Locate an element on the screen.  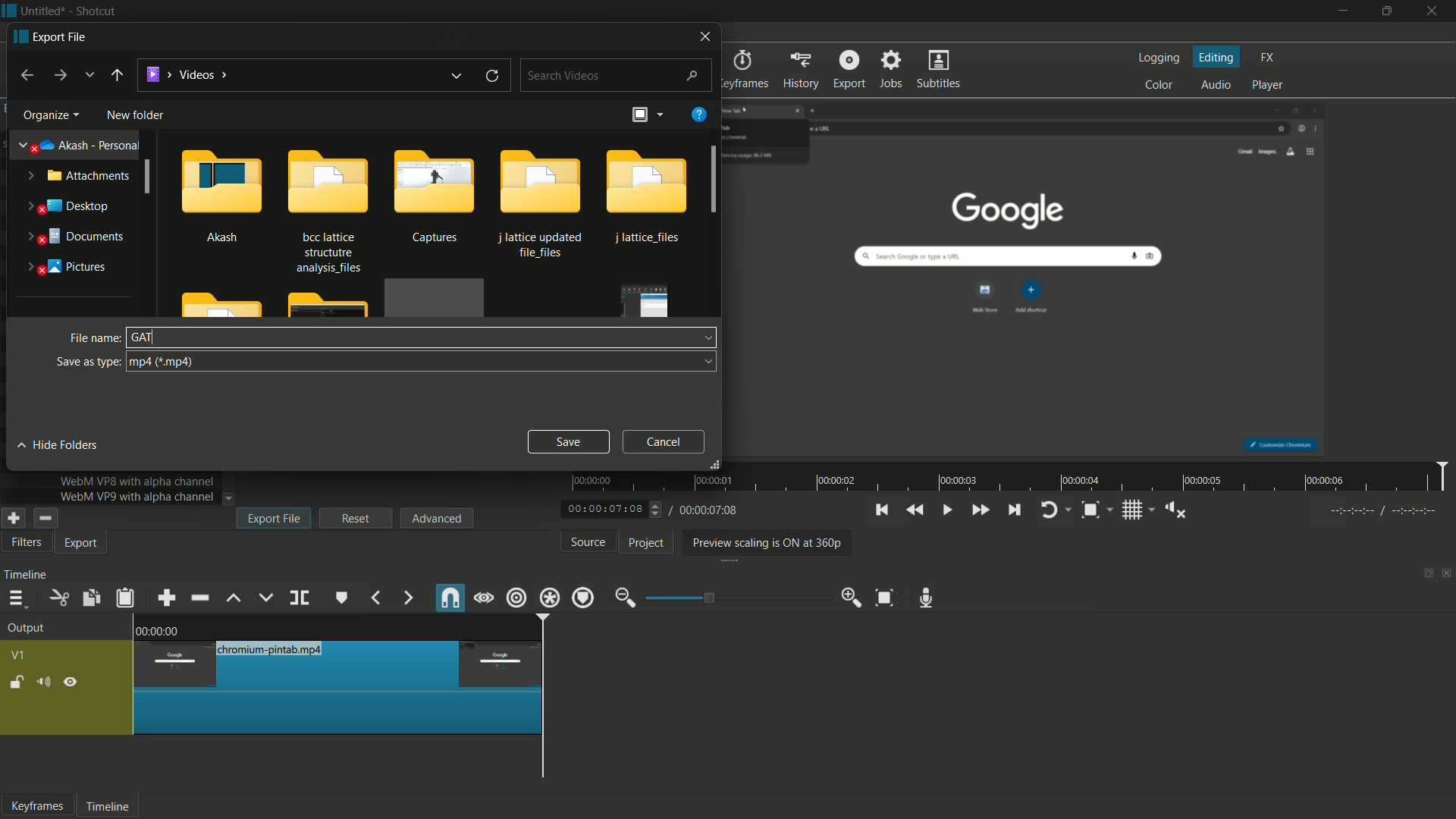
lift is located at coordinates (235, 599).